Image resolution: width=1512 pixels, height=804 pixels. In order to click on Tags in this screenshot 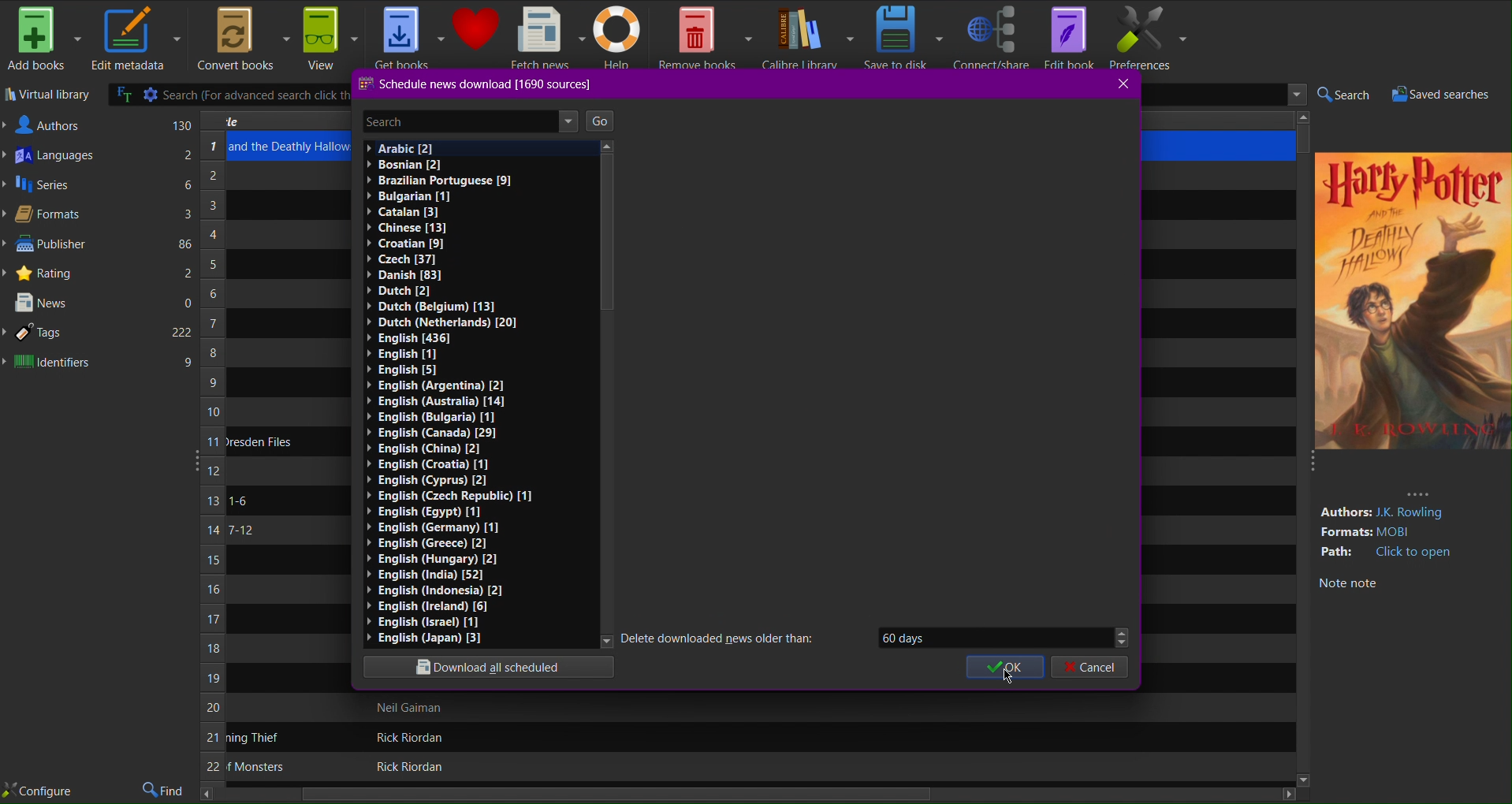, I will do `click(99, 333)`.